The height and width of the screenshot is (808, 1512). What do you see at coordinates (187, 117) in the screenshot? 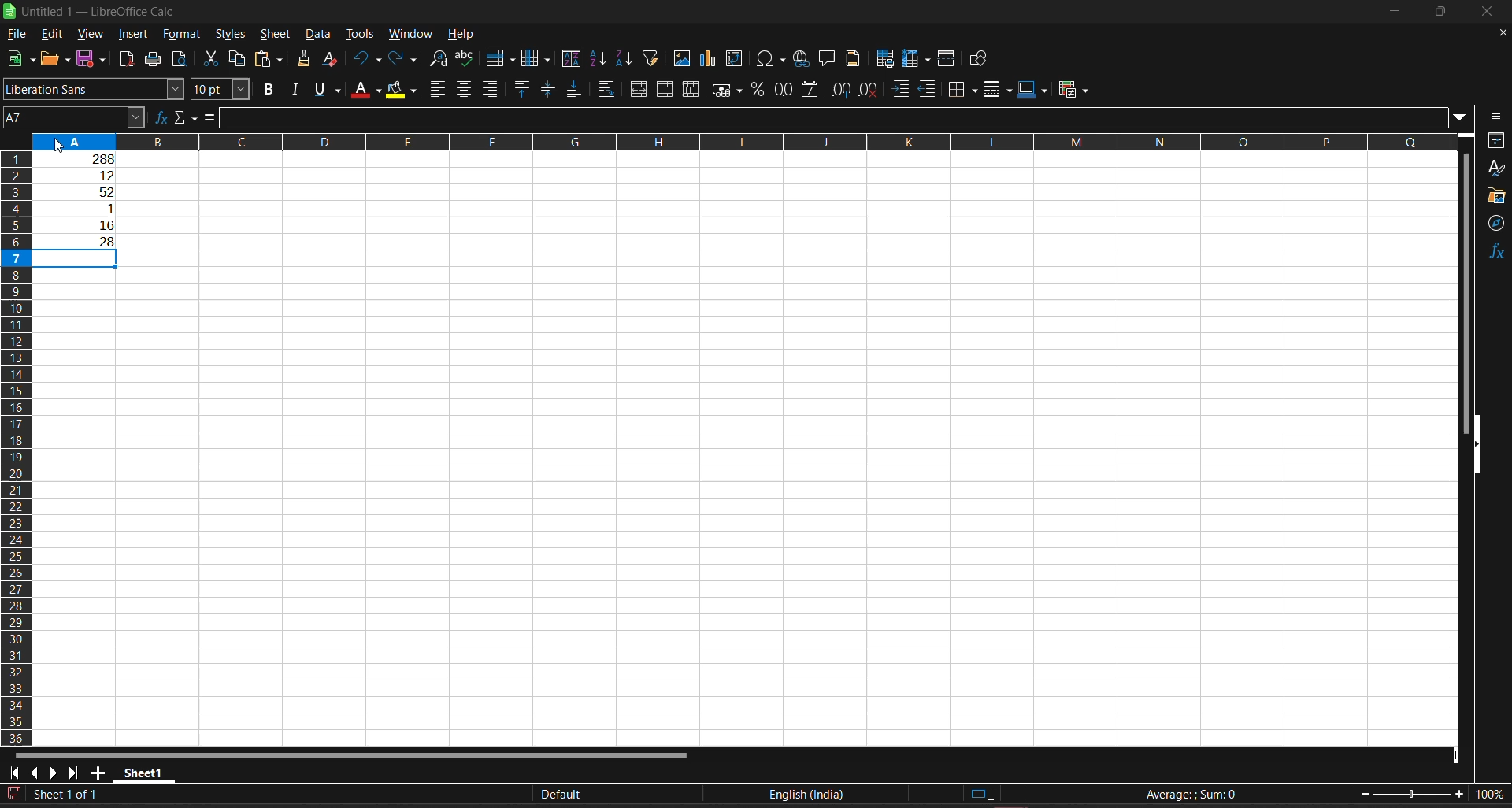
I see `select function` at bounding box center [187, 117].